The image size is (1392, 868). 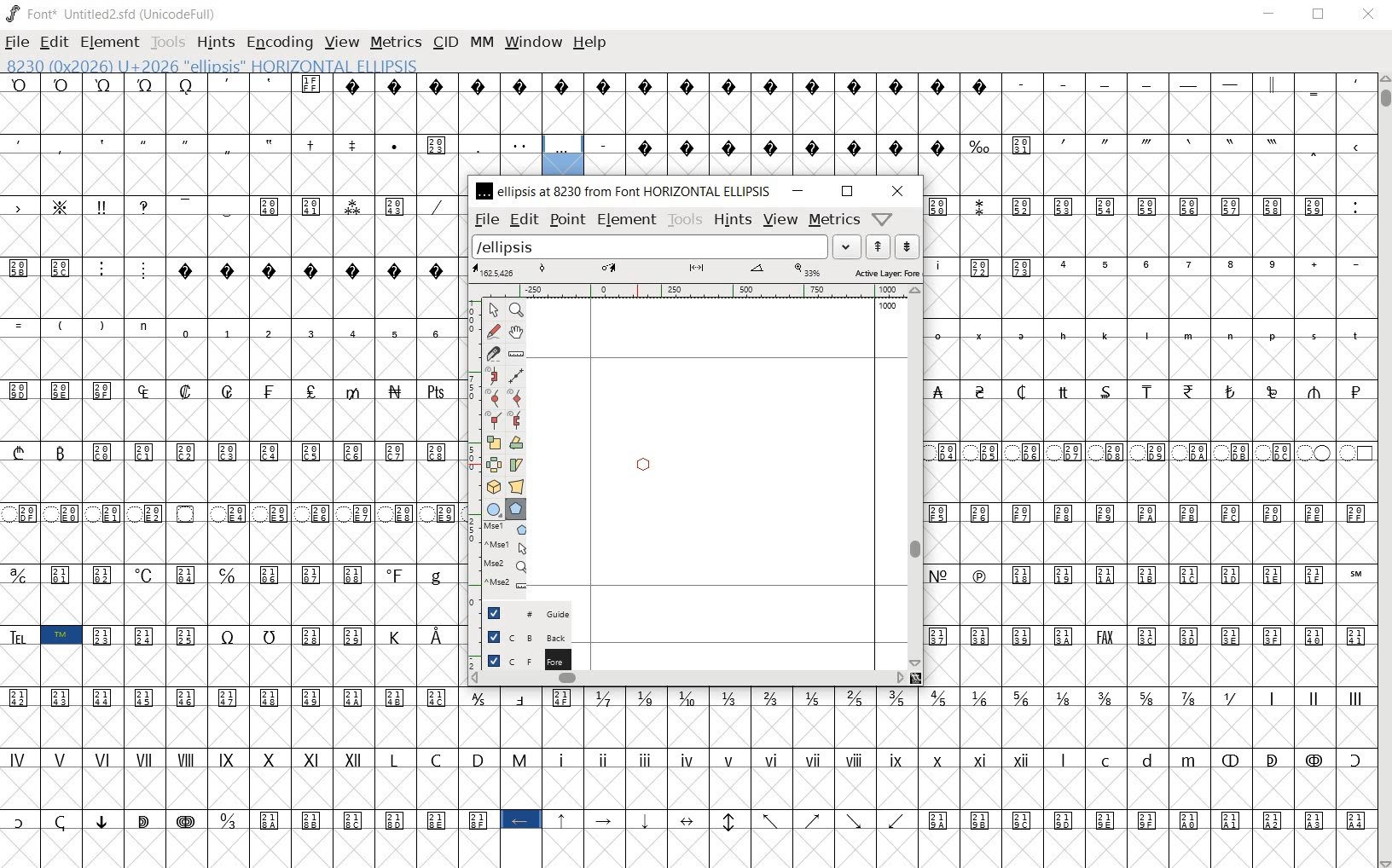 What do you see at coordinates (516, 420) in the screenshot?
I see `Add a corner point` at bounding box center [516, 420].